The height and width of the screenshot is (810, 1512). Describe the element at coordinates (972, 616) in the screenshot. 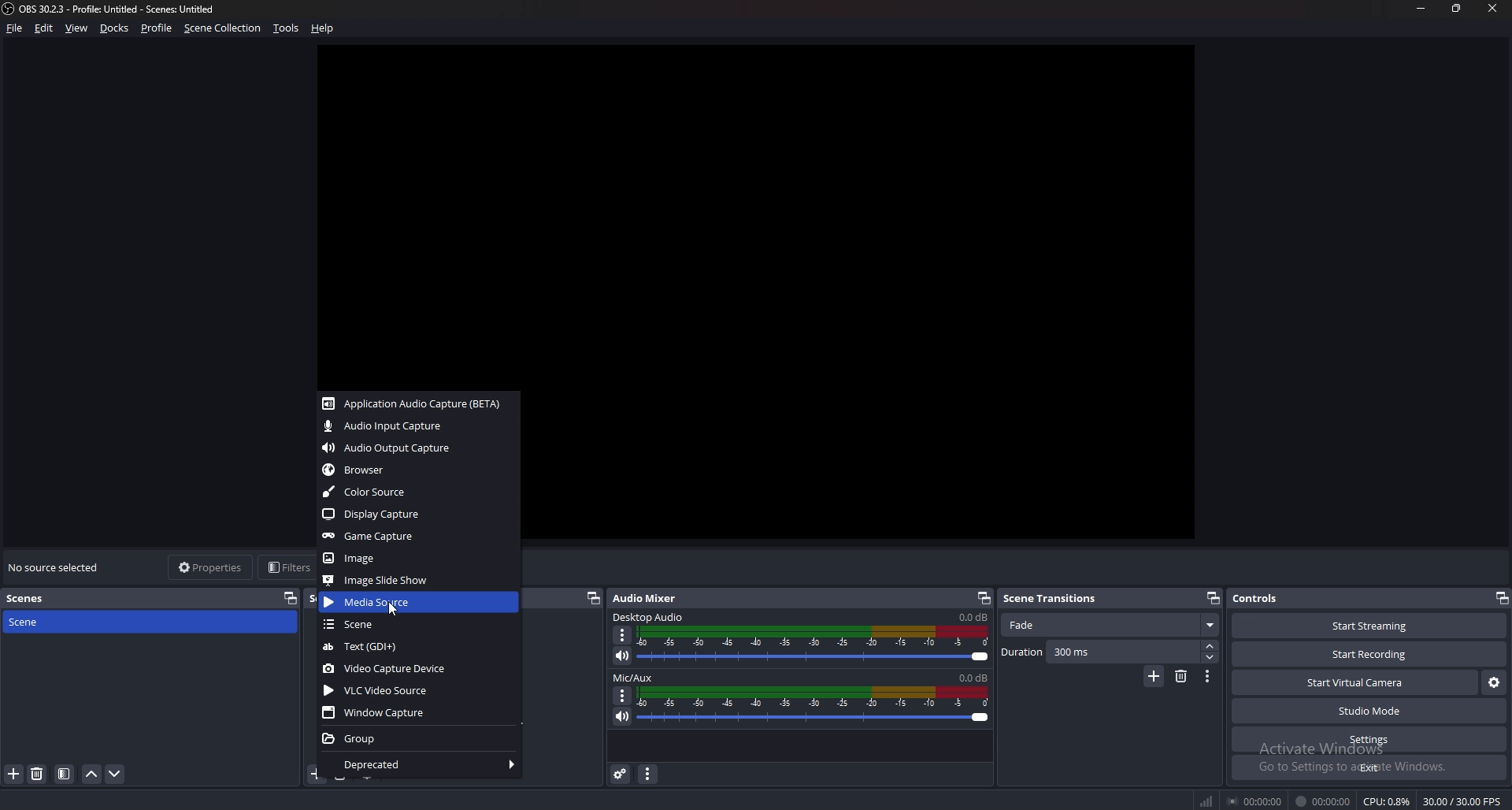

I see `Audio in decibels` at that location.